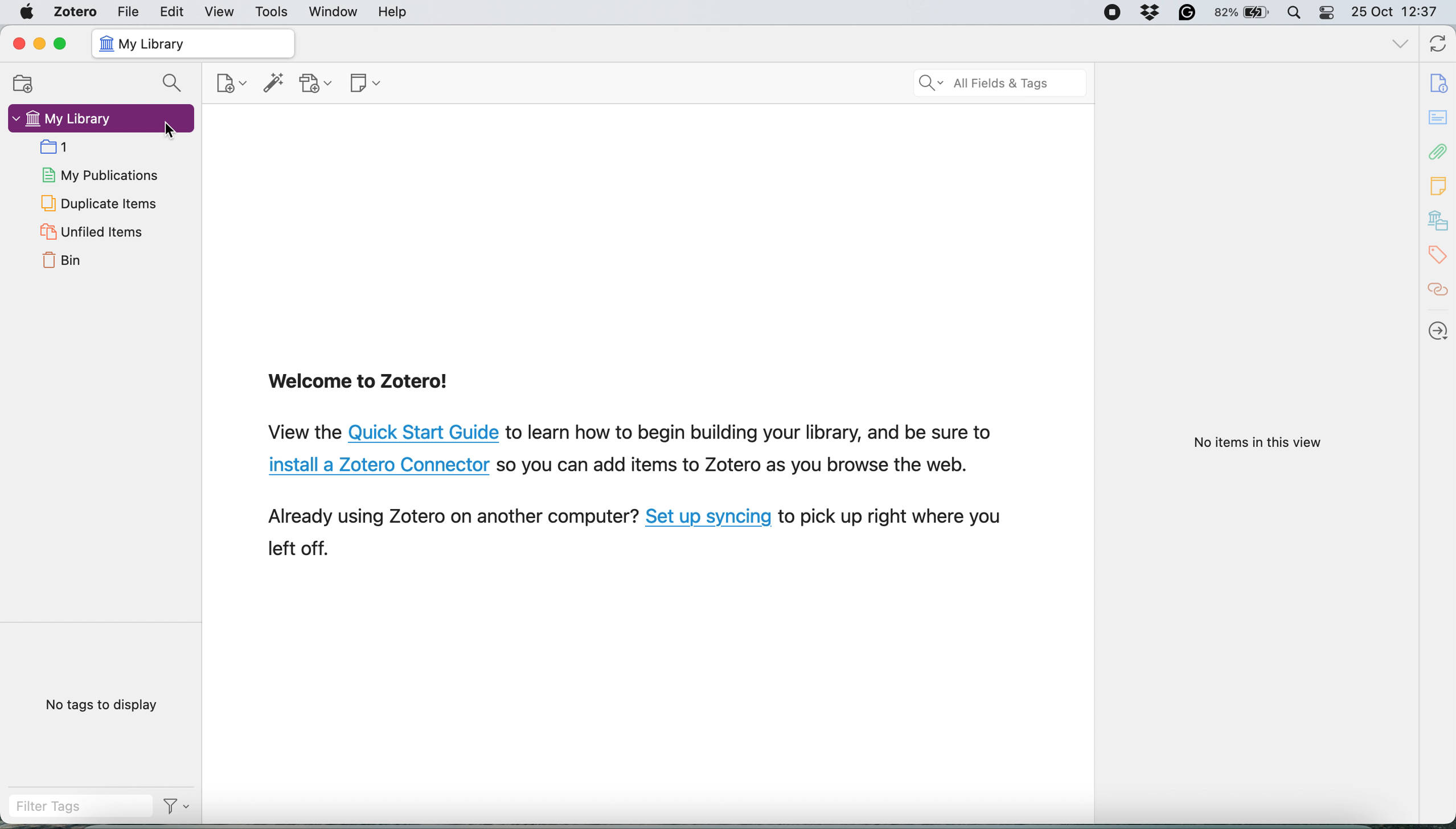 This screenshot has height=829, width=1456. Describe the element at coordinates (1440, 333) in the screenshot. I see `locate` at that location.